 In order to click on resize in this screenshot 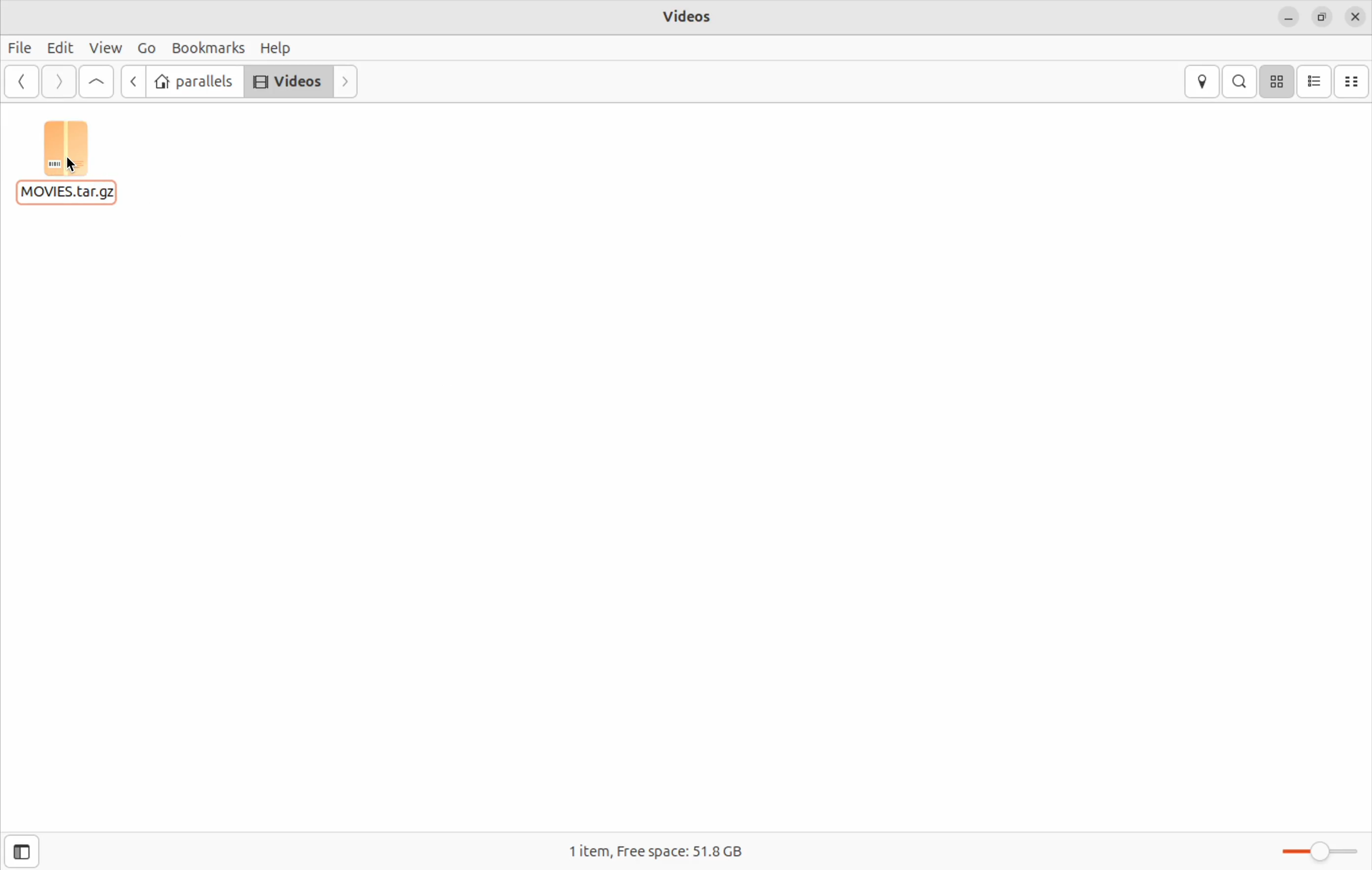, I will do `click(1321, 18)`.